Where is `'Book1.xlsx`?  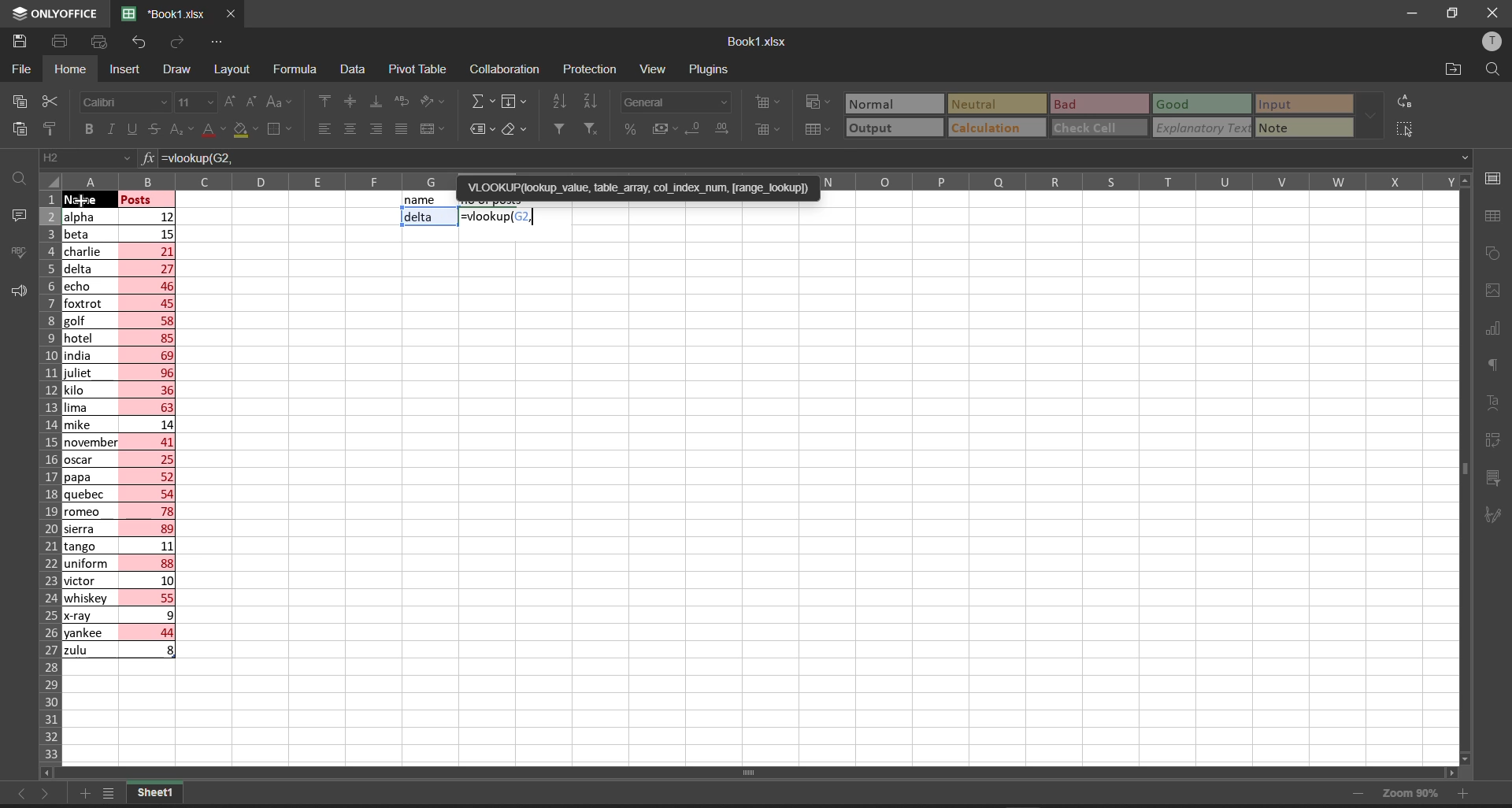 'Book1.xlsx is located at coordinates (160, 14).